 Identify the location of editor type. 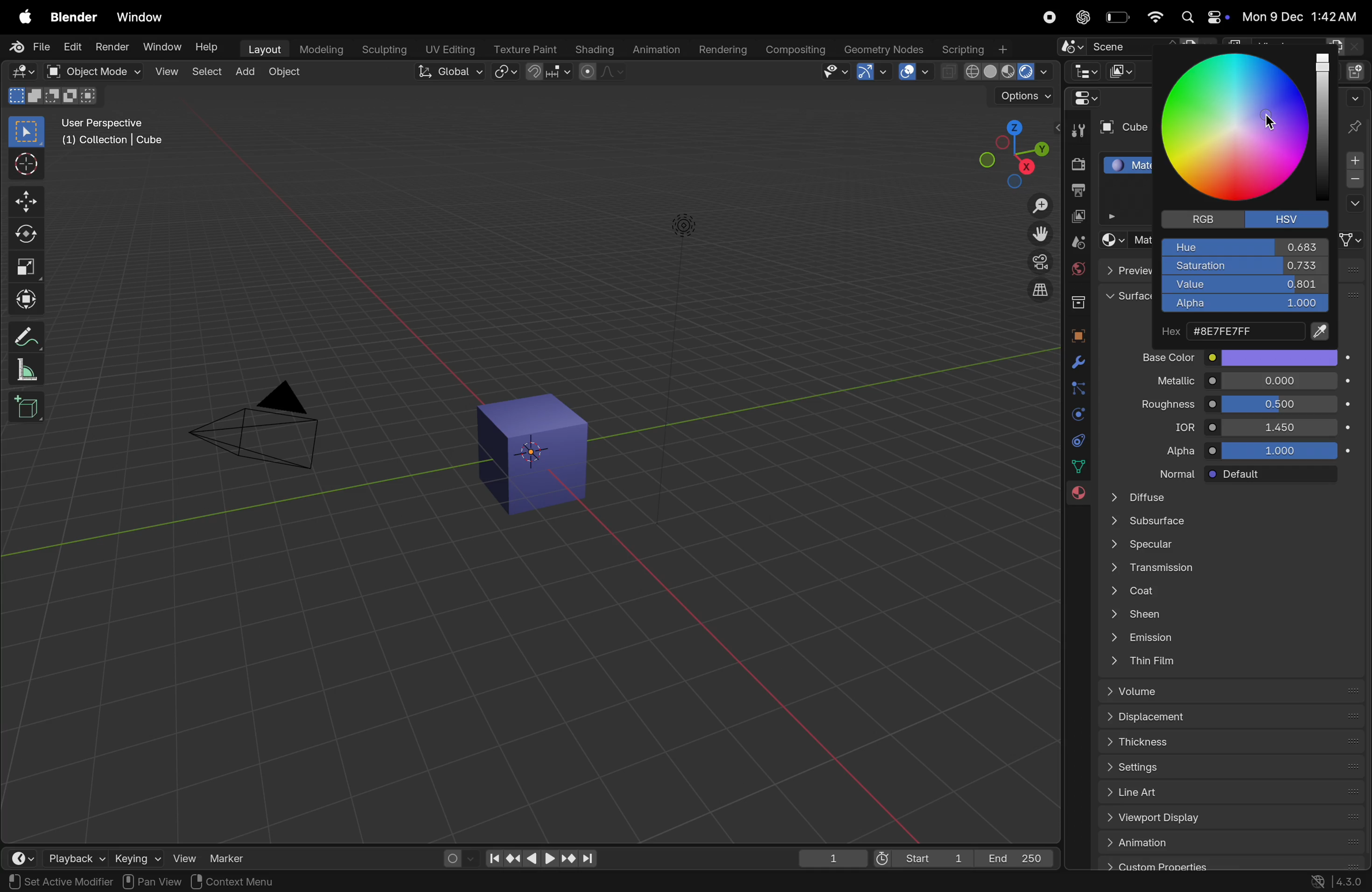
(1084, 70).